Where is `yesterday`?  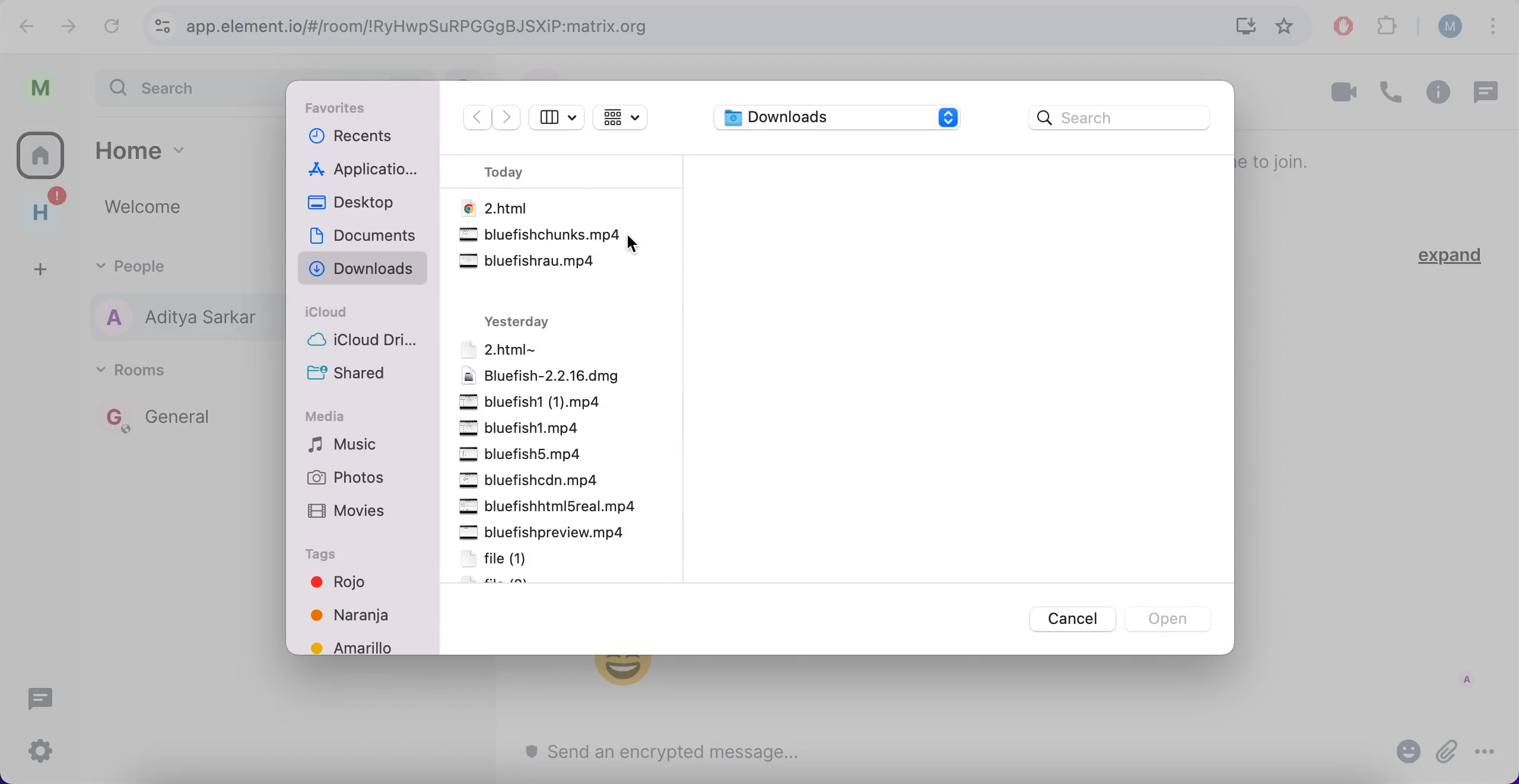 yesterday is located at coordinates (527, 321).